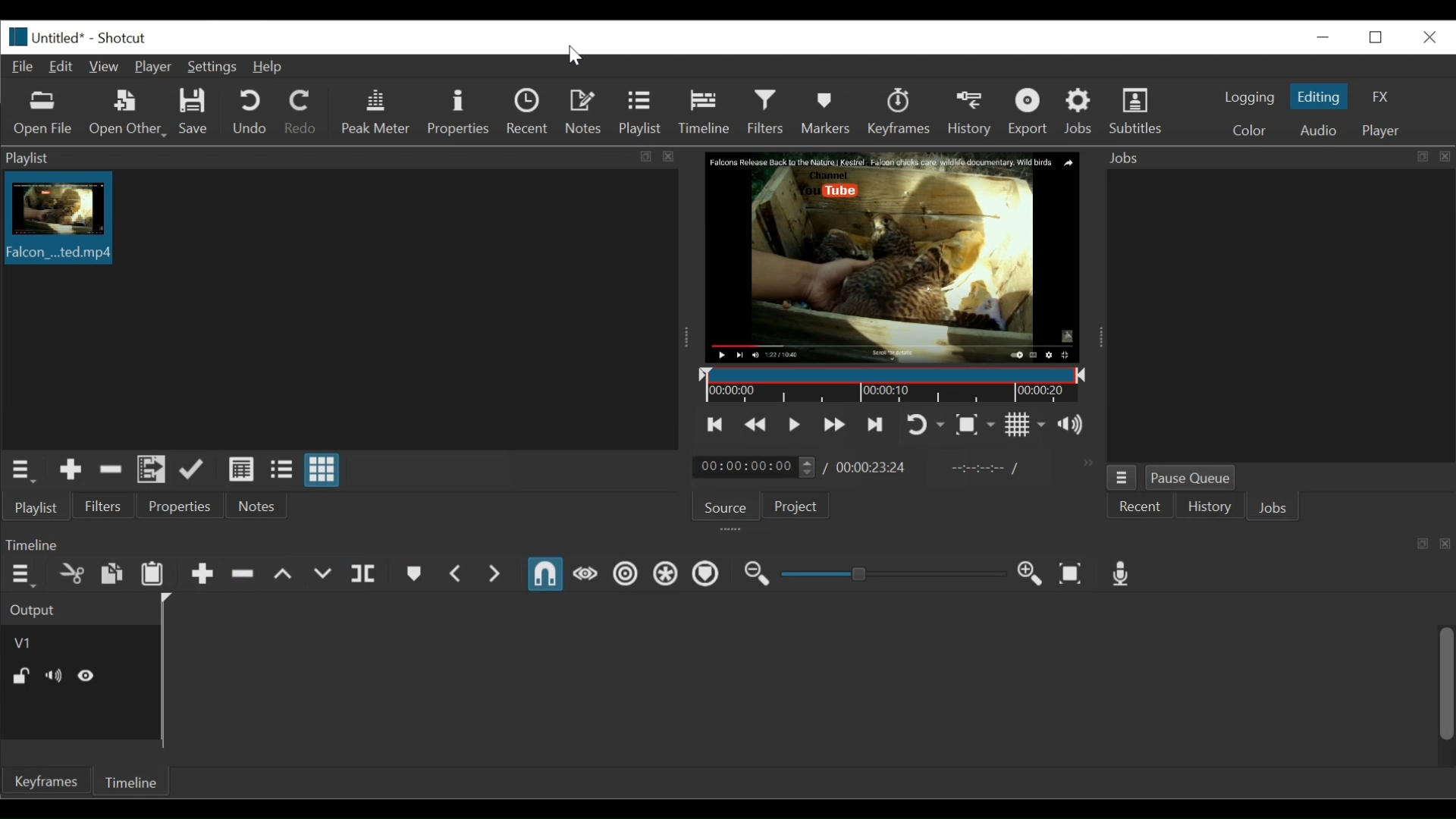 Image resolution: width=1456 pixels, height=819 pixels. What do you see at coordinates (985, 469) in the screenshot?
I see `In point` at bounding box center [985, 469].